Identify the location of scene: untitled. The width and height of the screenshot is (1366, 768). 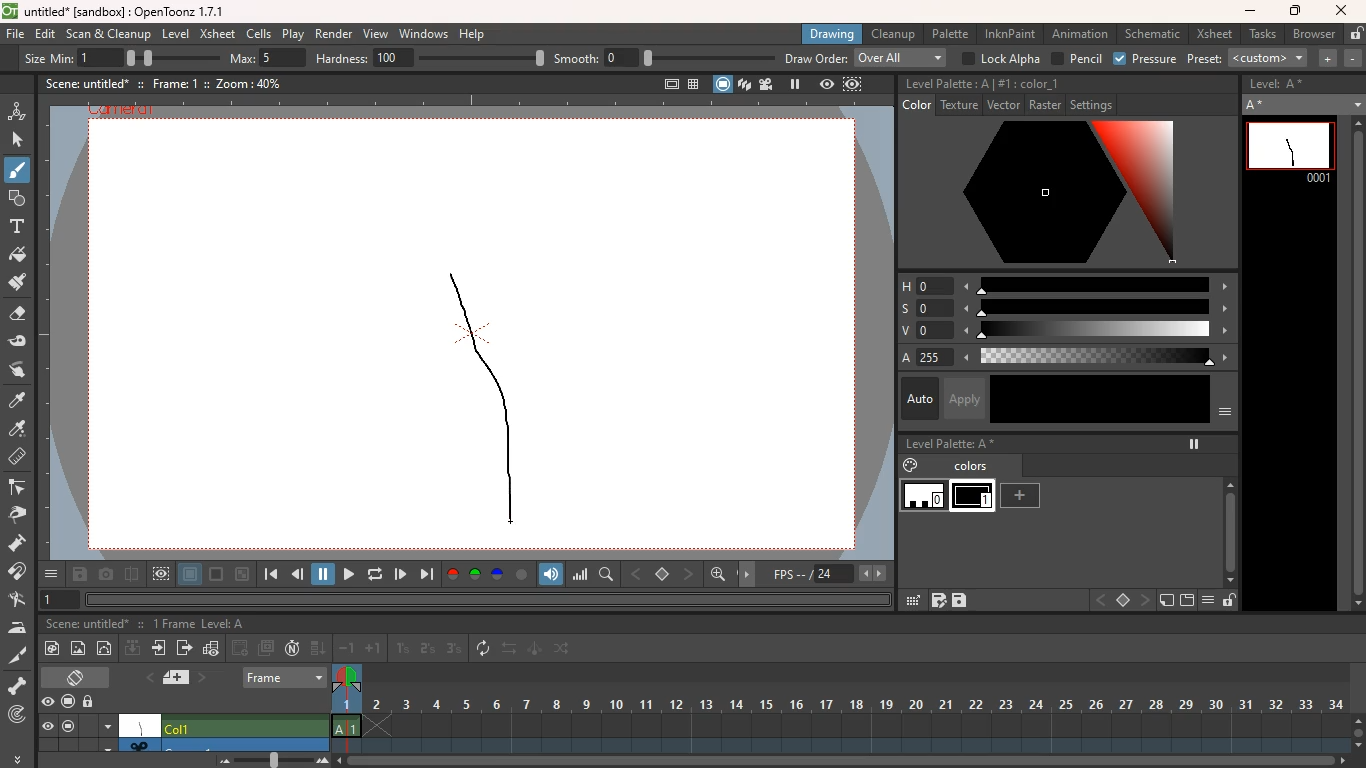
(84, 83).